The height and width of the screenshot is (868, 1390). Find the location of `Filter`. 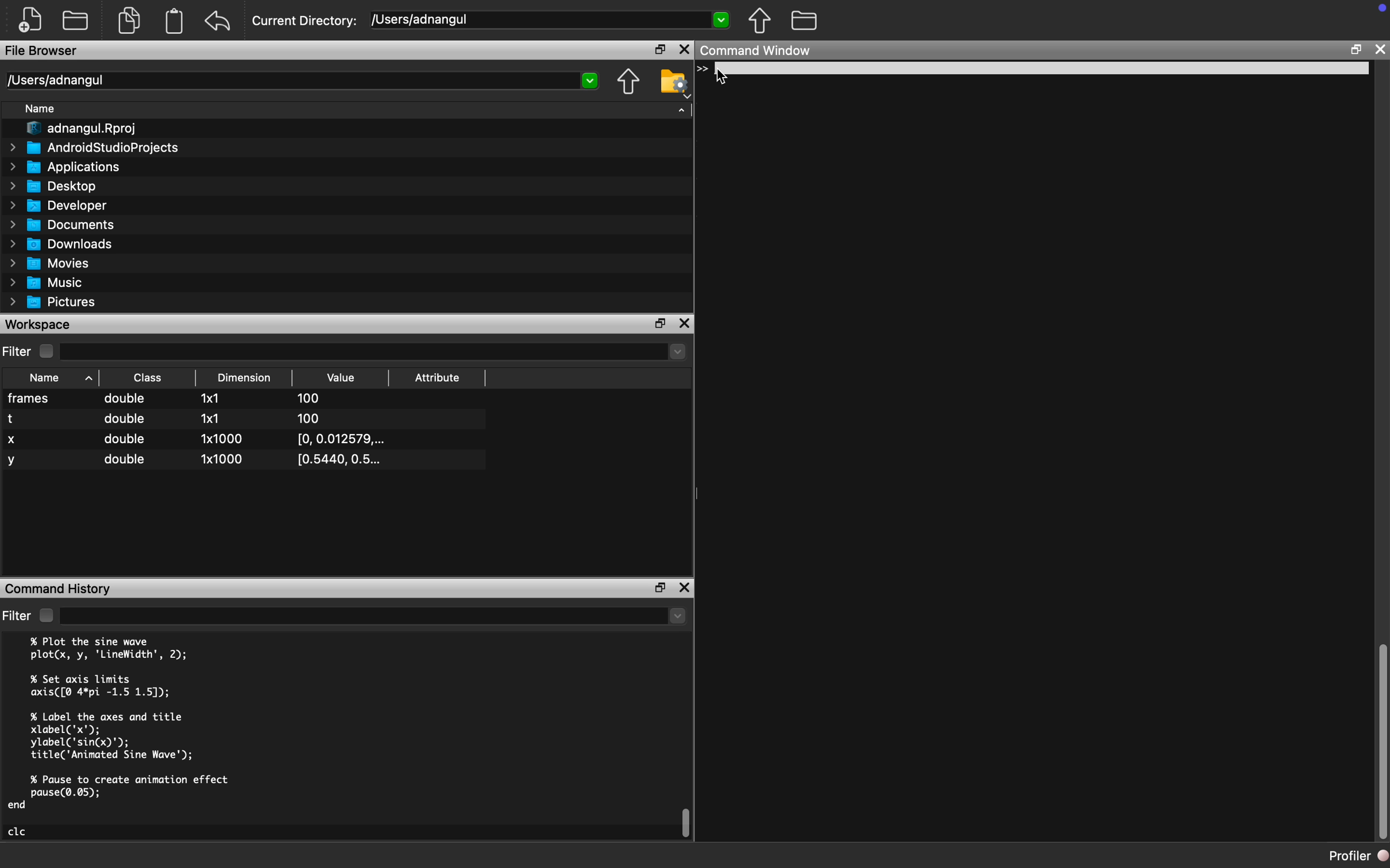

Filter is located at coordinates (18, 350).